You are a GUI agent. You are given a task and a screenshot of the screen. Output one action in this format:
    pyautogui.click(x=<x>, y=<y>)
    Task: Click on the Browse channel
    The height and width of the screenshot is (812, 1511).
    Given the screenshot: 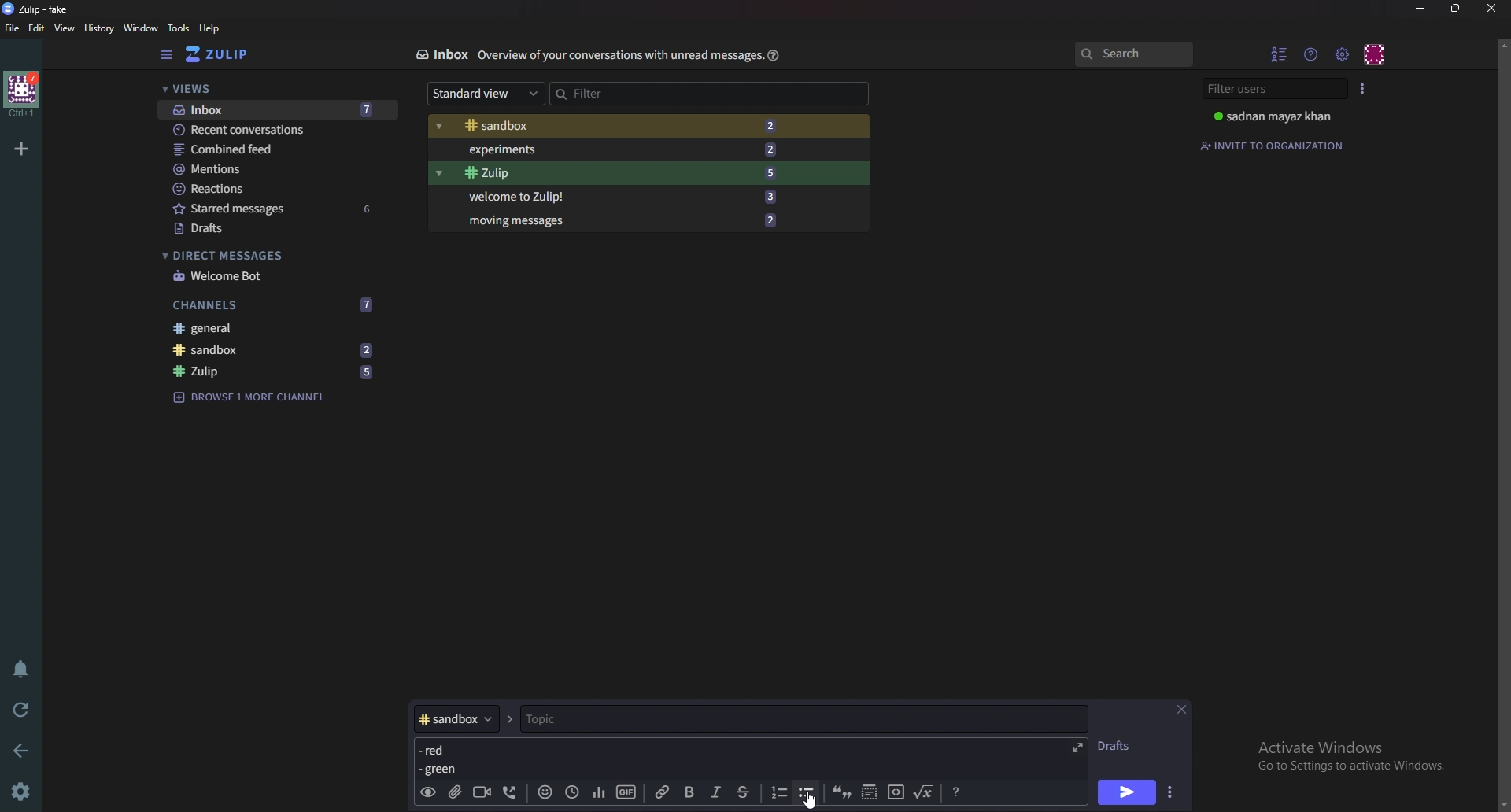 What is the action you would take?
    pyautogui.click(x=250, y=396)
    